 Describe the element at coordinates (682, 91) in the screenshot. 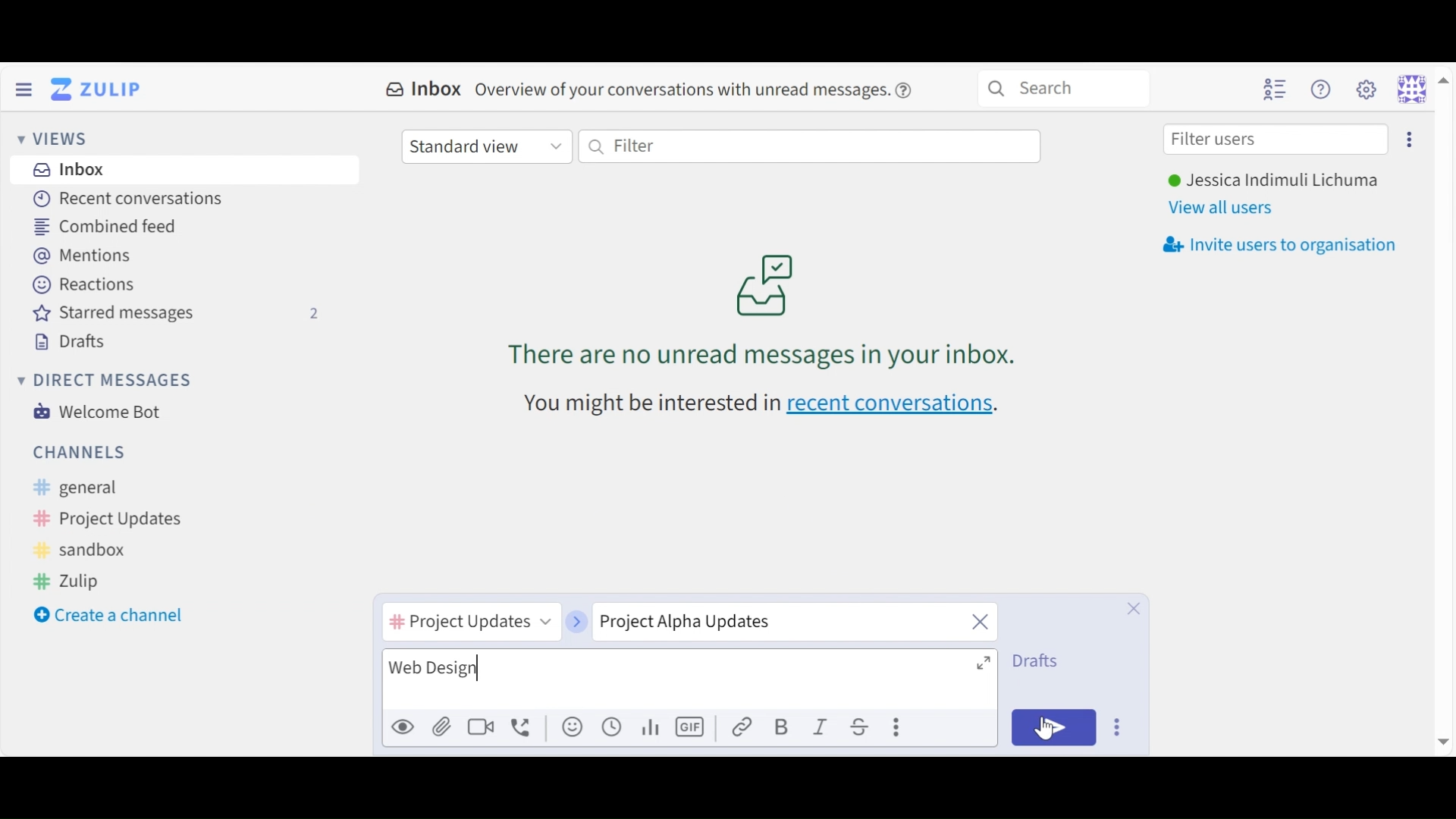

I see `overview of conversations` at that location.